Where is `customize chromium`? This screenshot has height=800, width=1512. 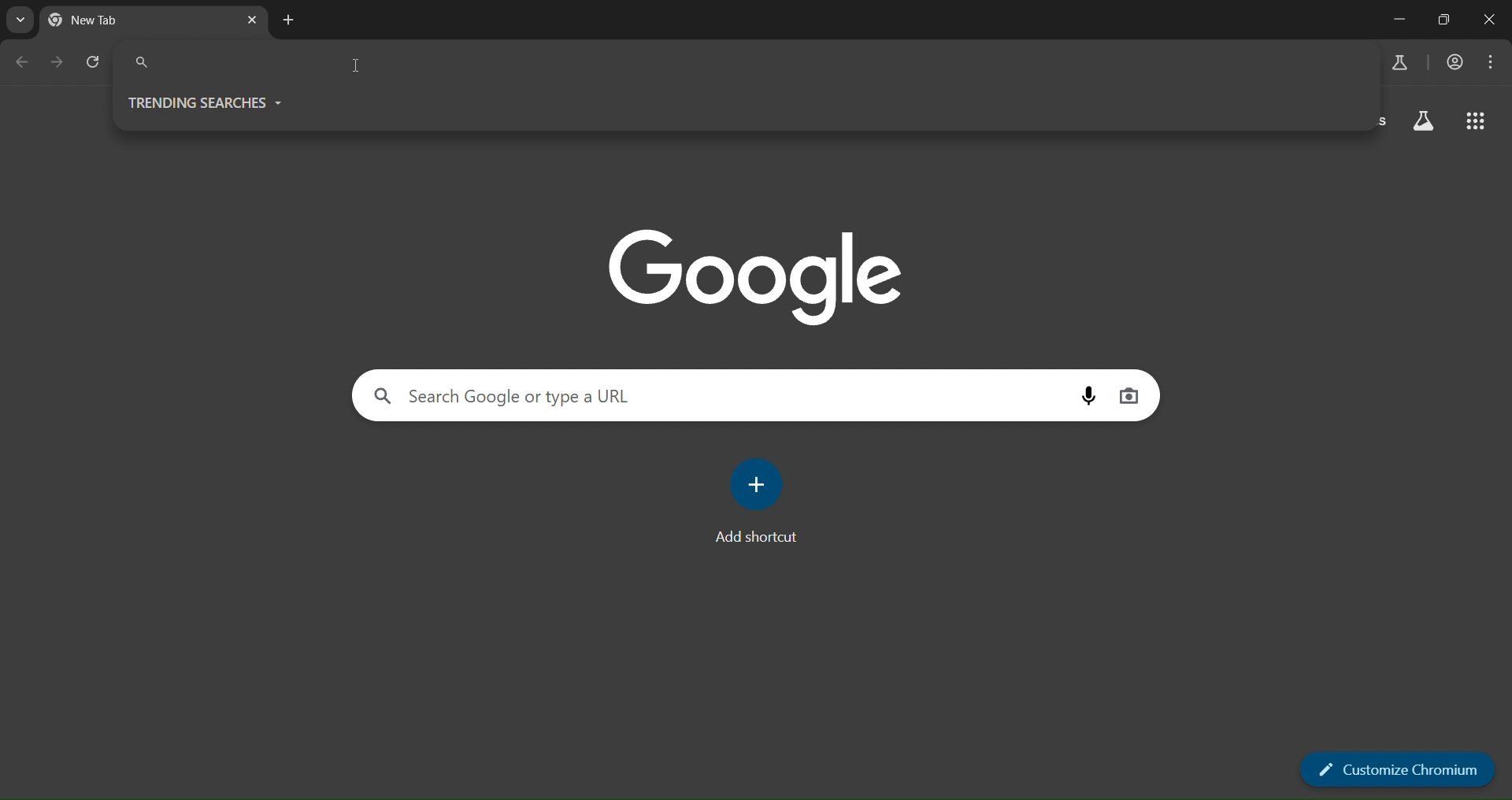 customize chromium is located at coordinates (1399, 769).